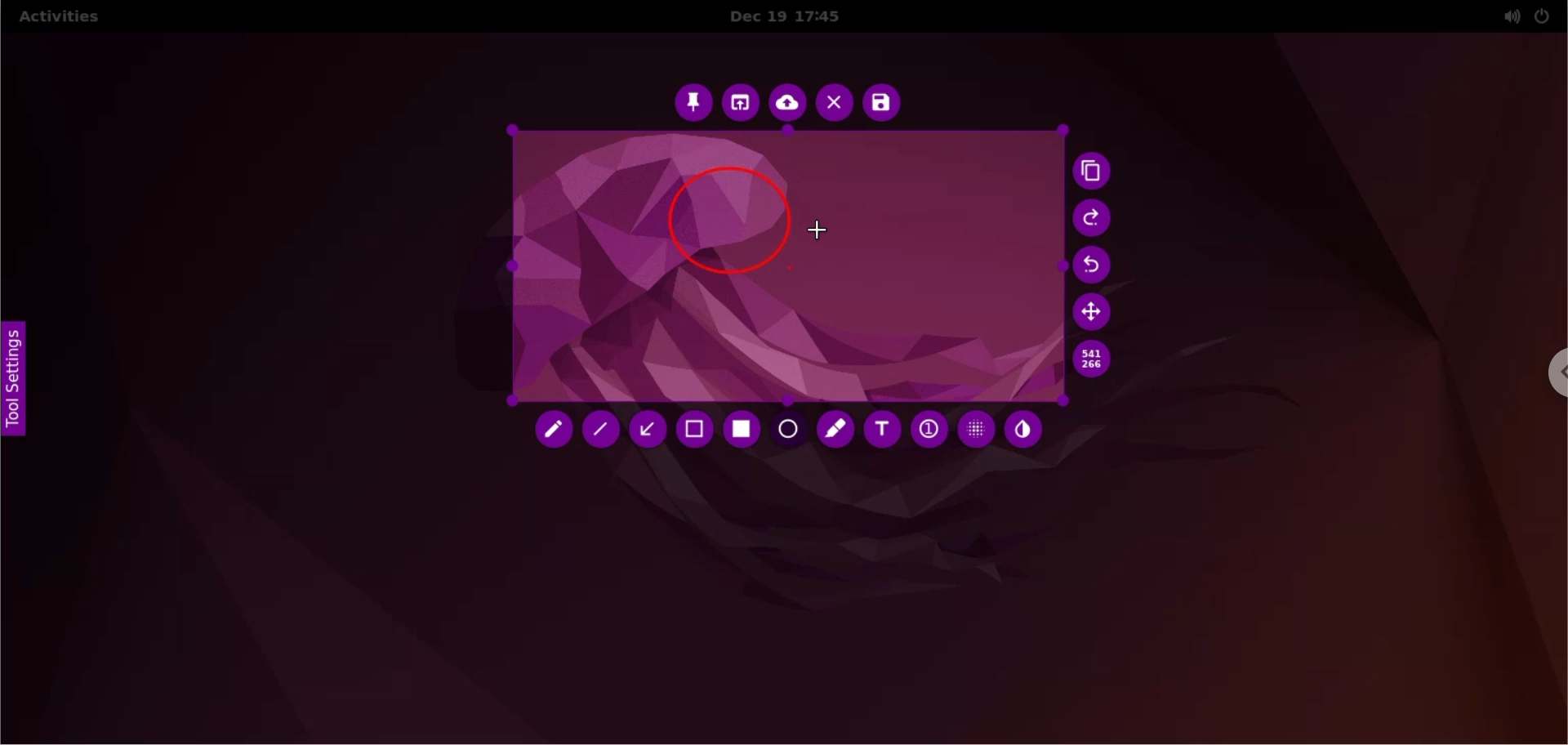  Describe the element at coordinates (23, 386) in the screenshot. I see `tool settings` at that location.